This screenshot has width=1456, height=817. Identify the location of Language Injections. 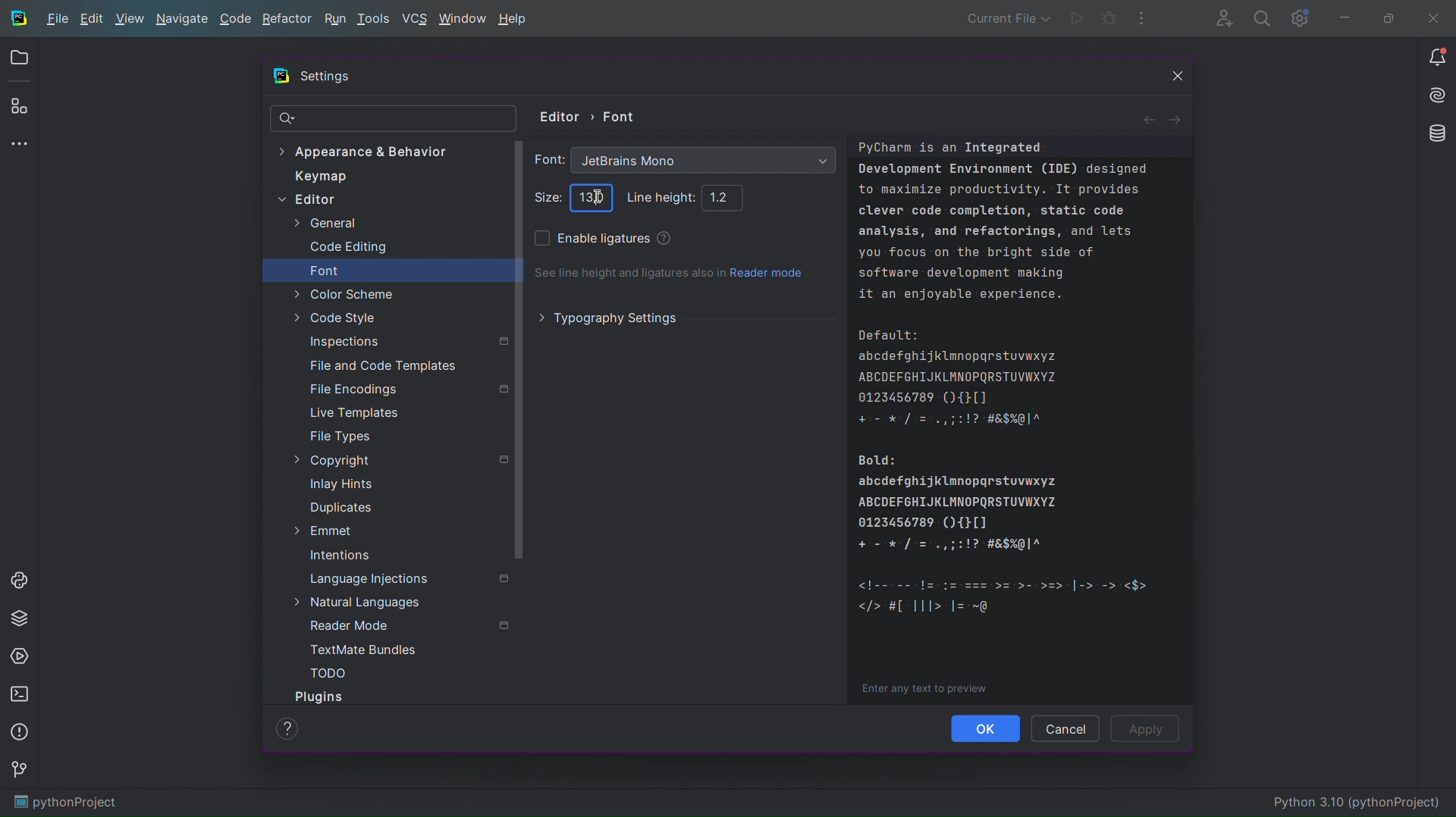
(409, 577).